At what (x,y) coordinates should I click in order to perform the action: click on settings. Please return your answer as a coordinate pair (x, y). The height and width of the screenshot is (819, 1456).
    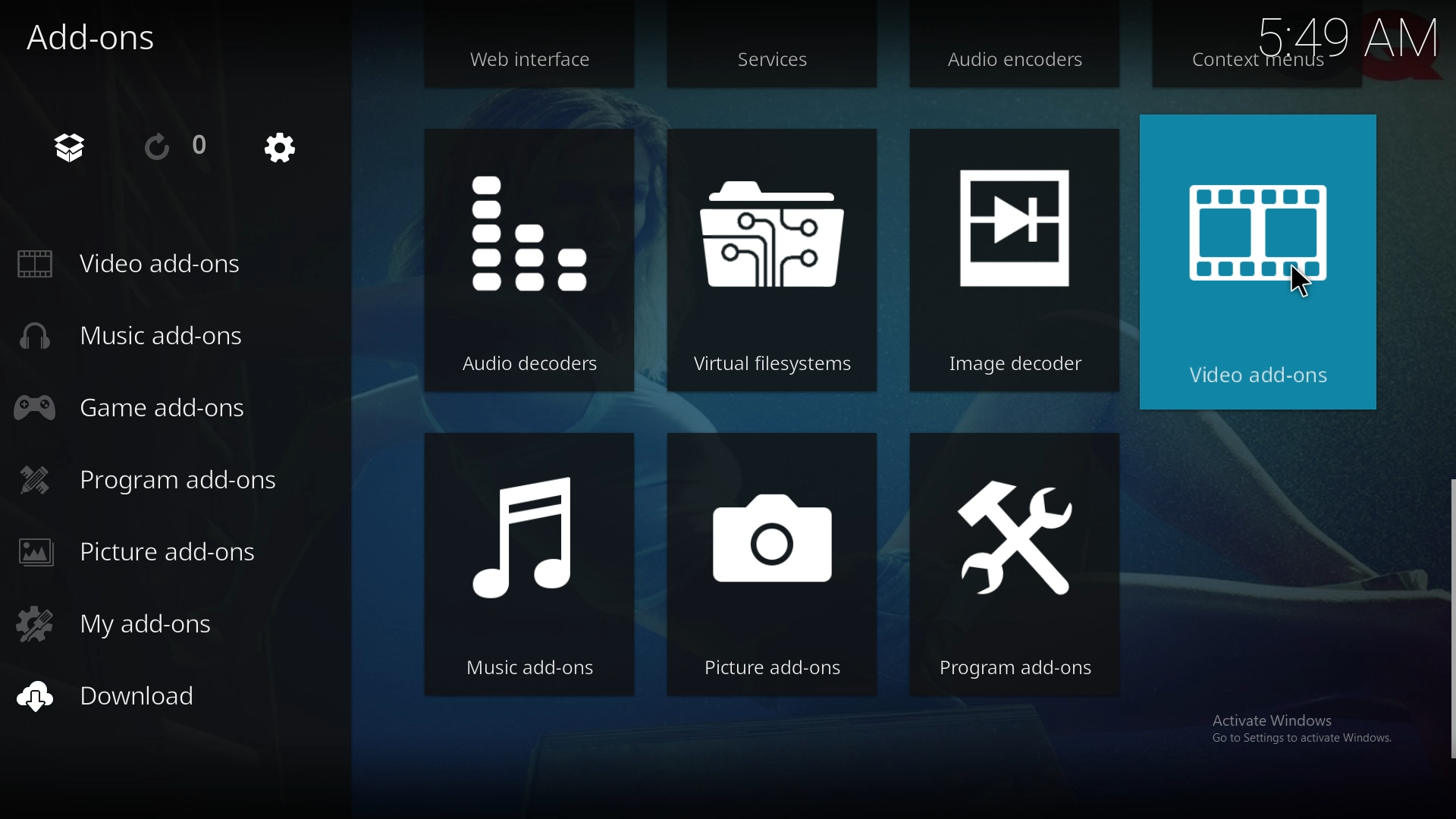
    Looking at the image, I should click on (278, 150).